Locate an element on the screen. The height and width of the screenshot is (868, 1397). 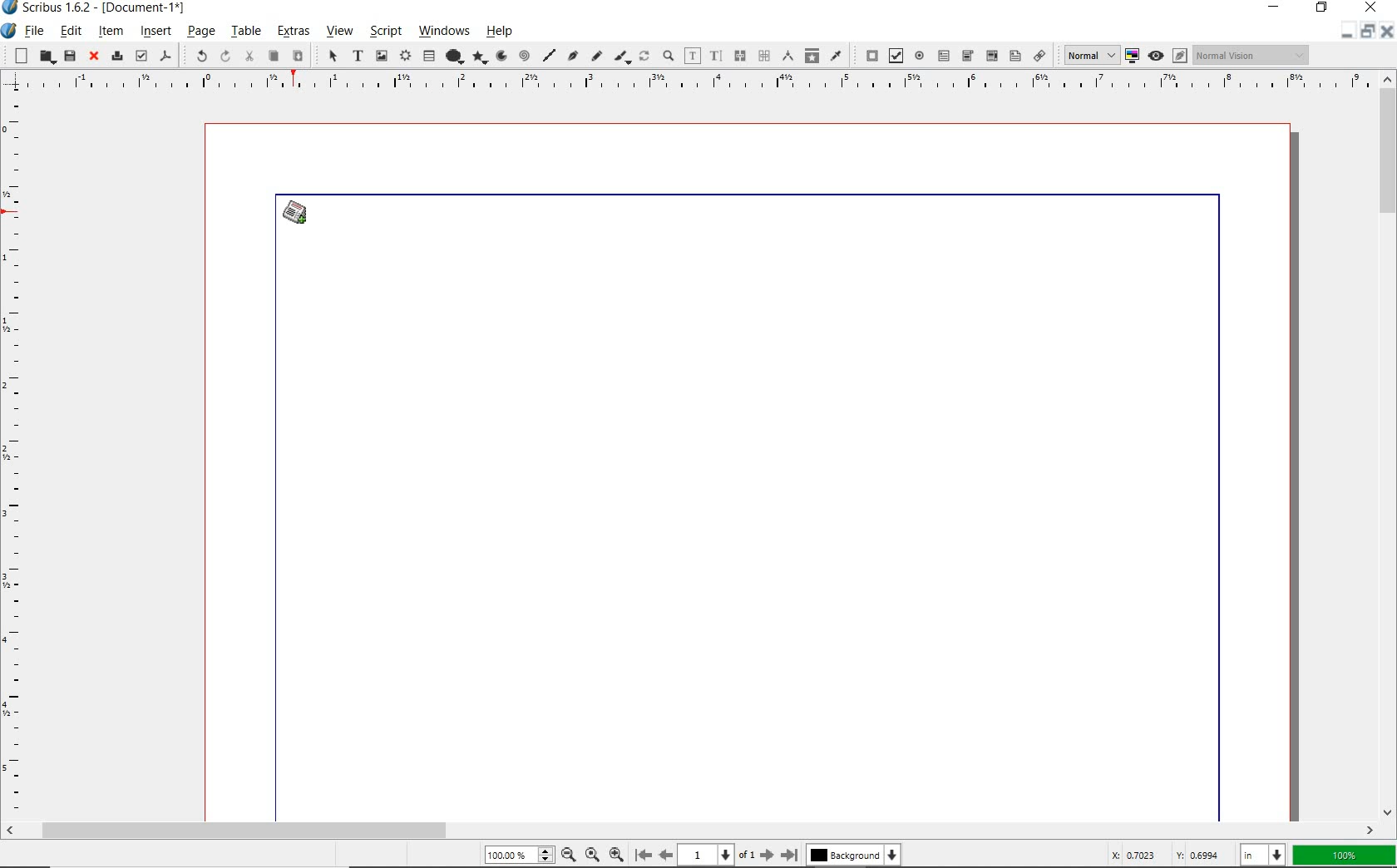
item is located at coordinates (111, 32).